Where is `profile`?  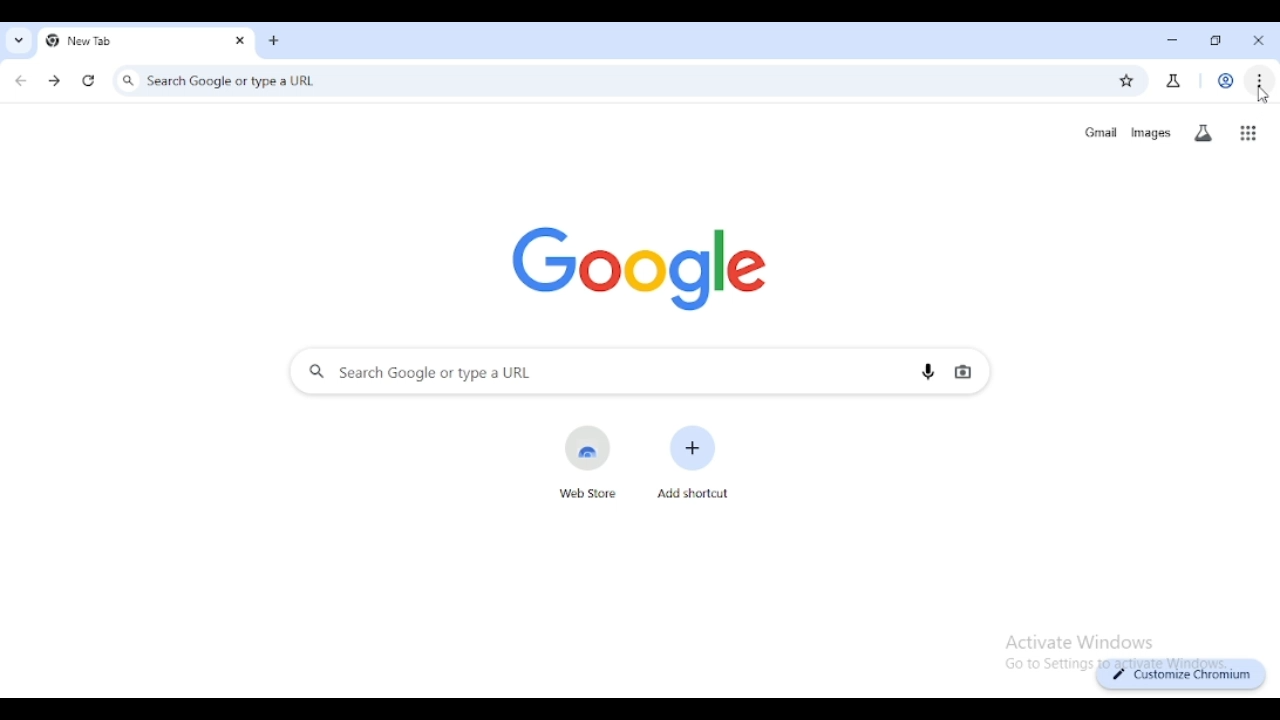
profile is located at coordinates (1226, 81).